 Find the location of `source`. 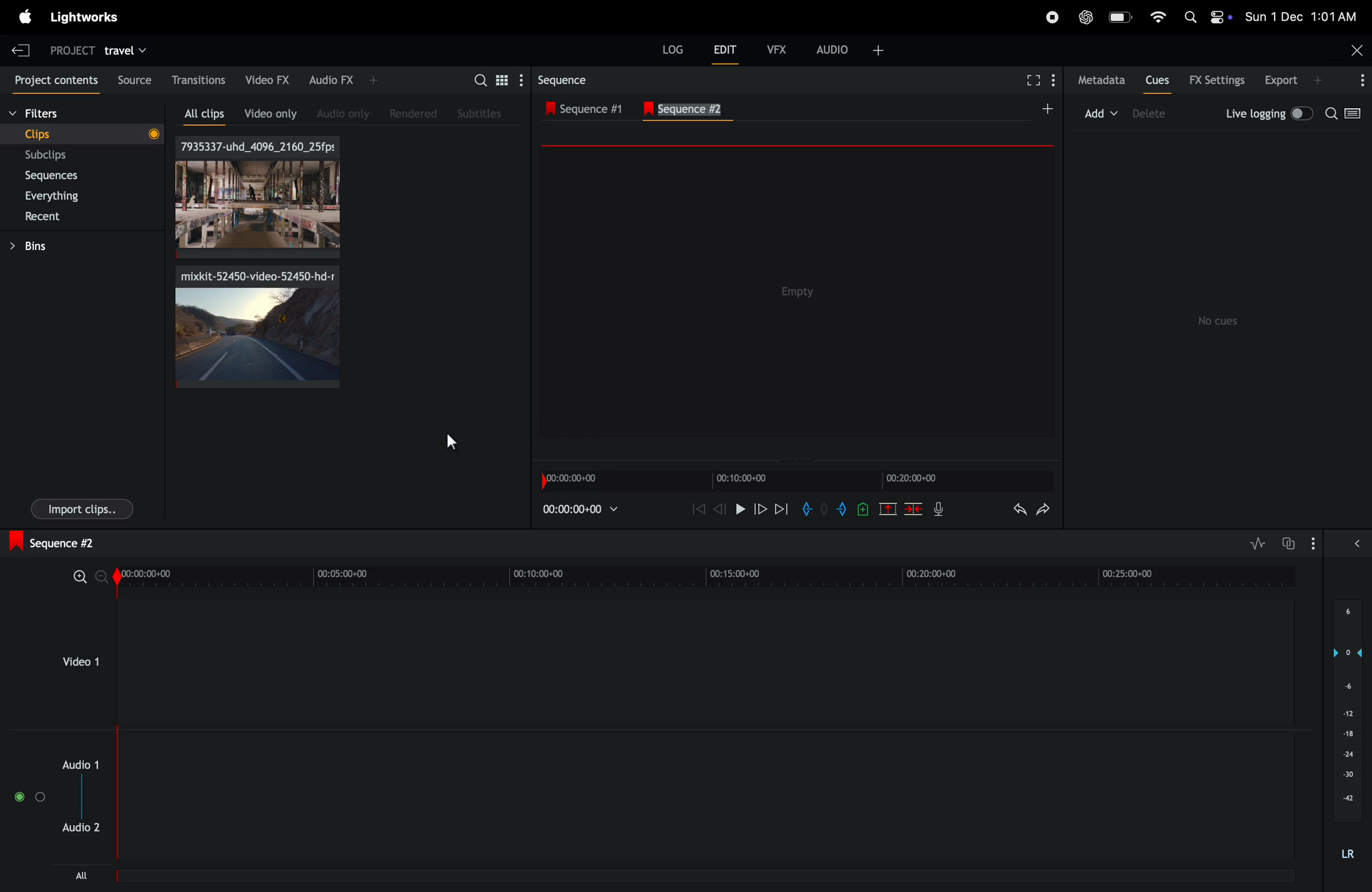

source is located at coordinates (133, 79).